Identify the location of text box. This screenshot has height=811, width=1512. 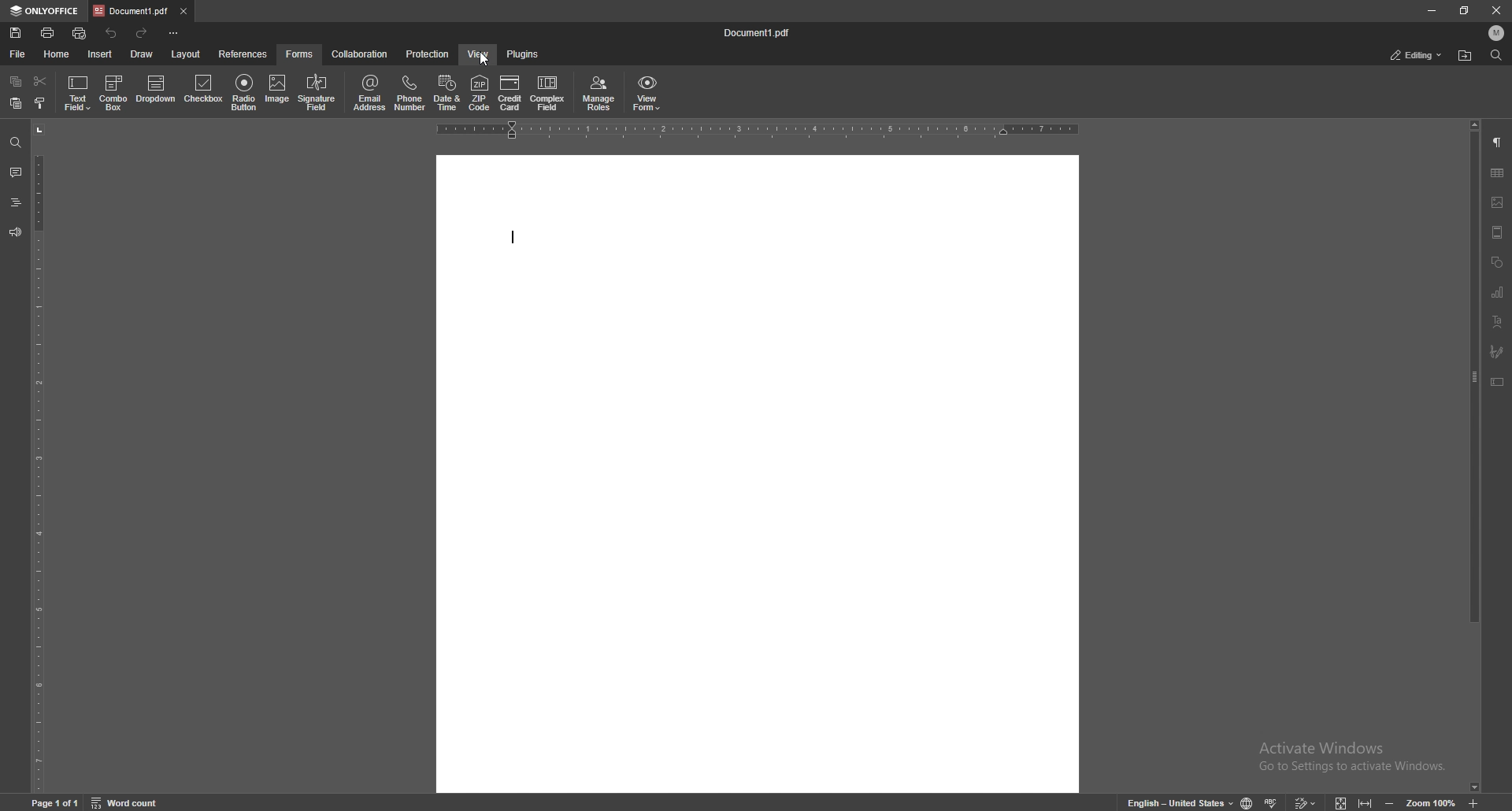
(1498, 383).